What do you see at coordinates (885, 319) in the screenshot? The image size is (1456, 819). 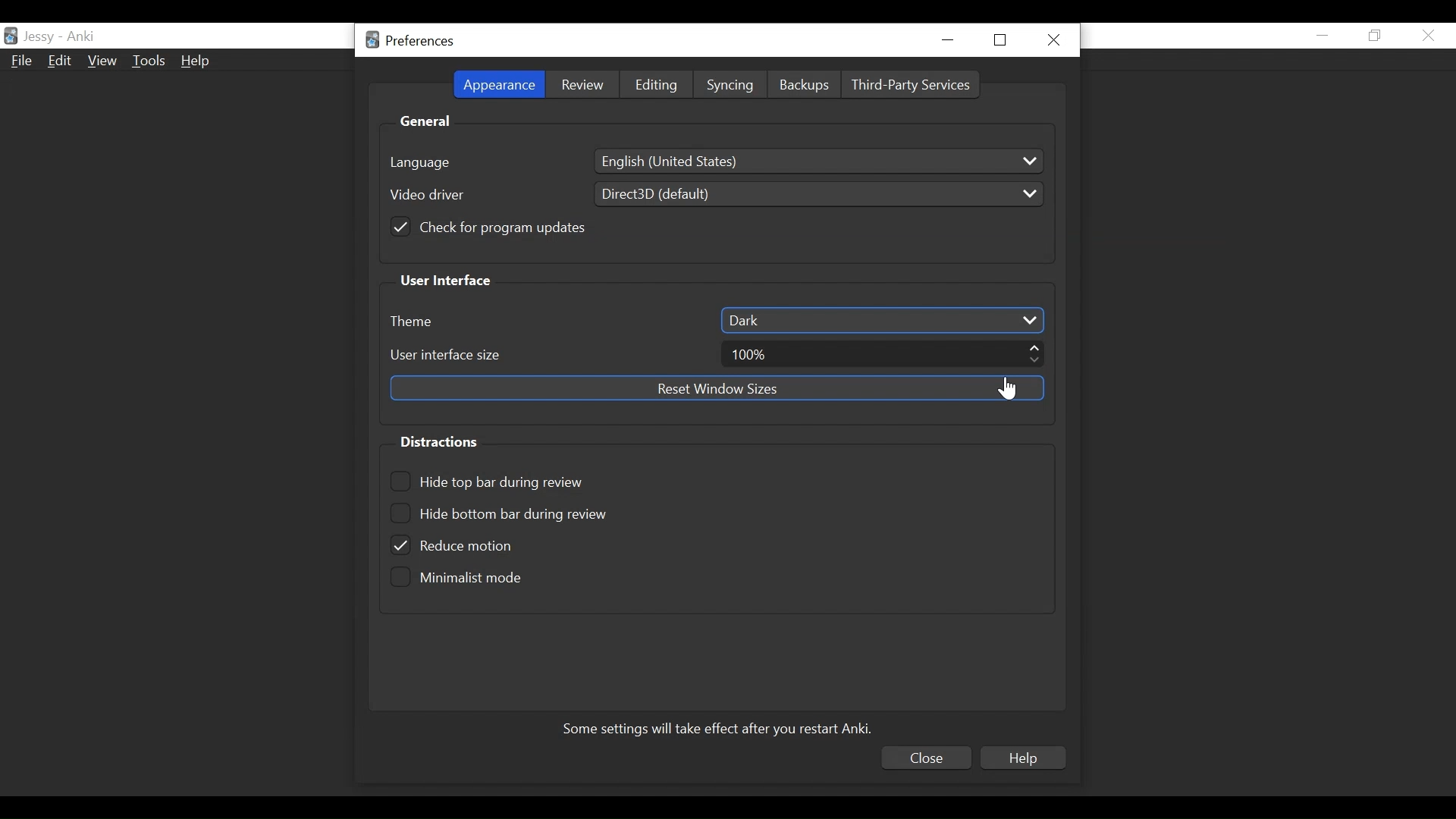 I see `Dark` at bounding box center [885, 319].